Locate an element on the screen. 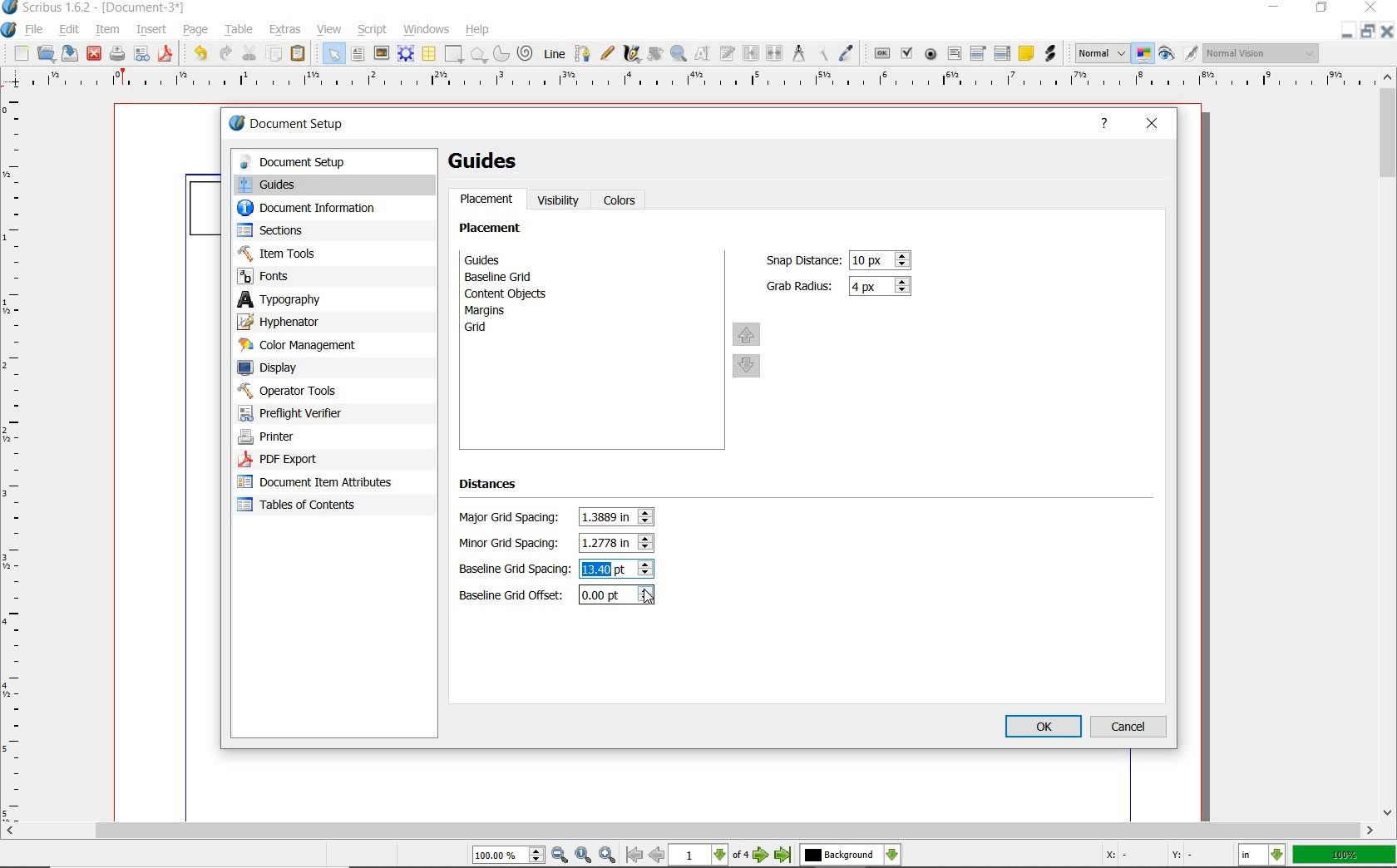 This screenshot has width=1397, height=868. document item attributes is located at coordinates (318, 481).